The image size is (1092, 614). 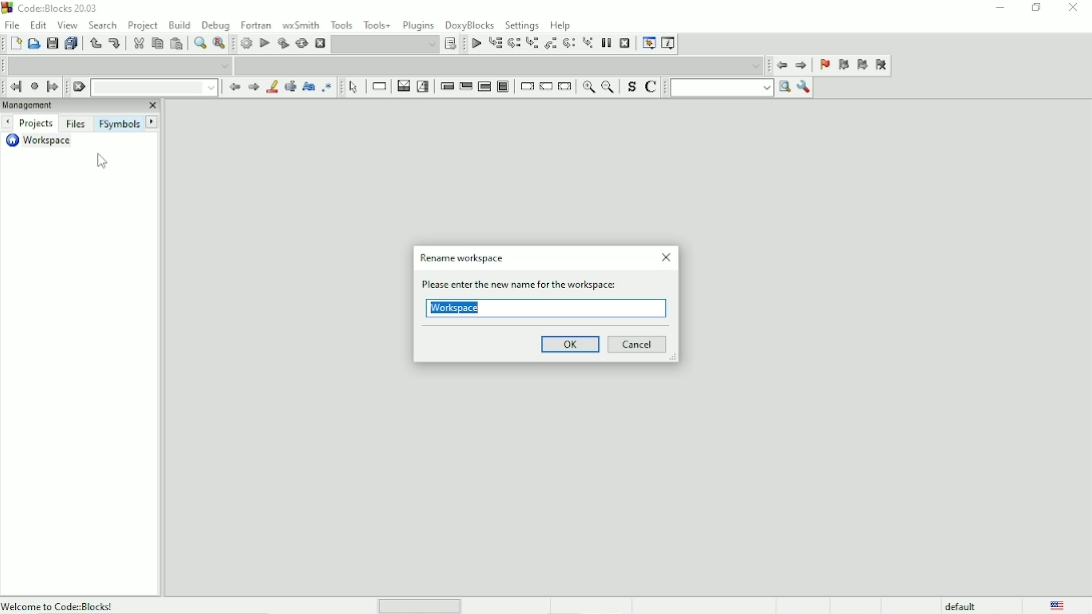 What do you see at coordinates (52, 43) in the screenshot?
I see `Save` at bounding box center [52, 43].